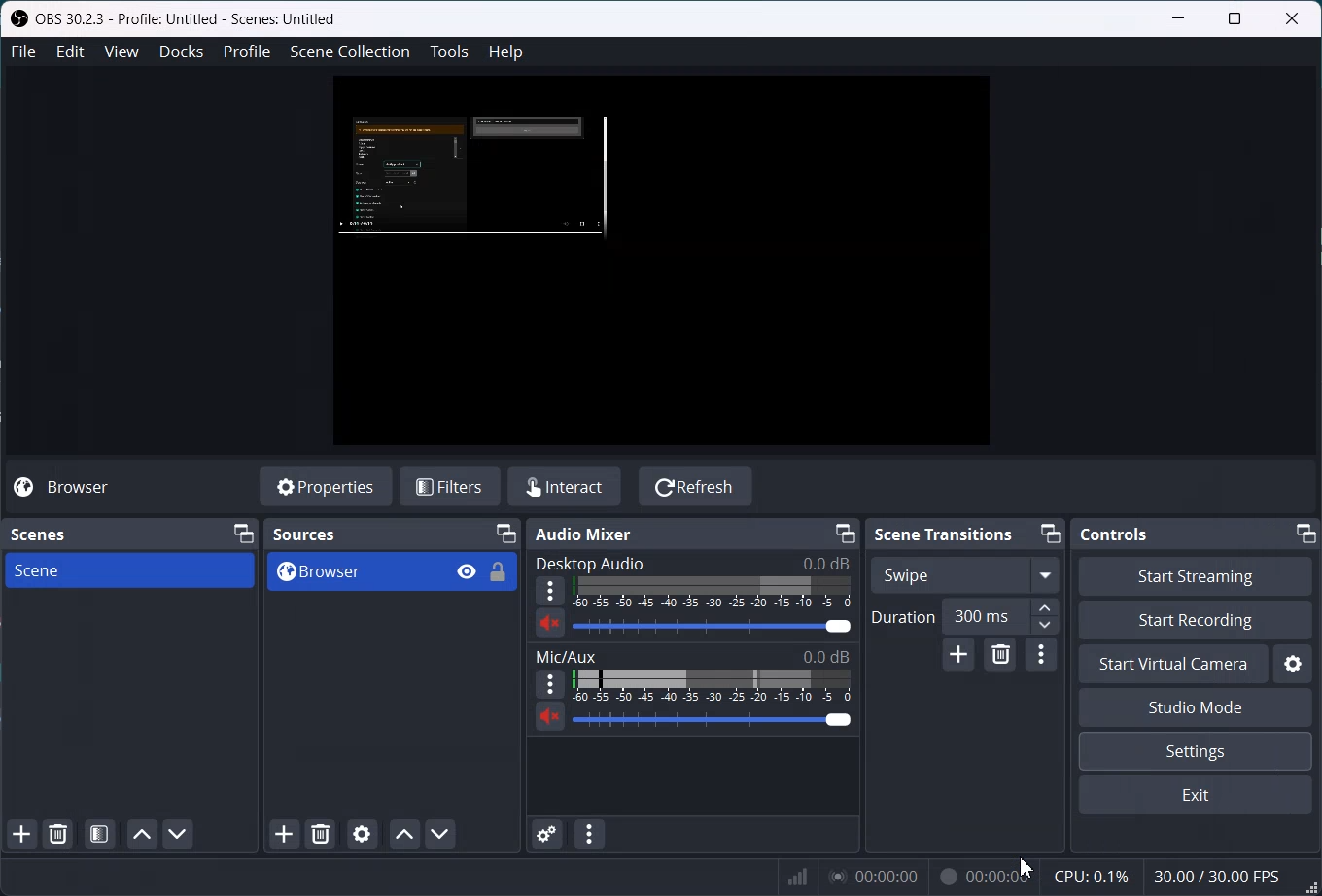 Image resolution: width=1322 pixels, height=896 pixels. I want to click on Desktop Audio 0.0 dB, so click(689, 562).